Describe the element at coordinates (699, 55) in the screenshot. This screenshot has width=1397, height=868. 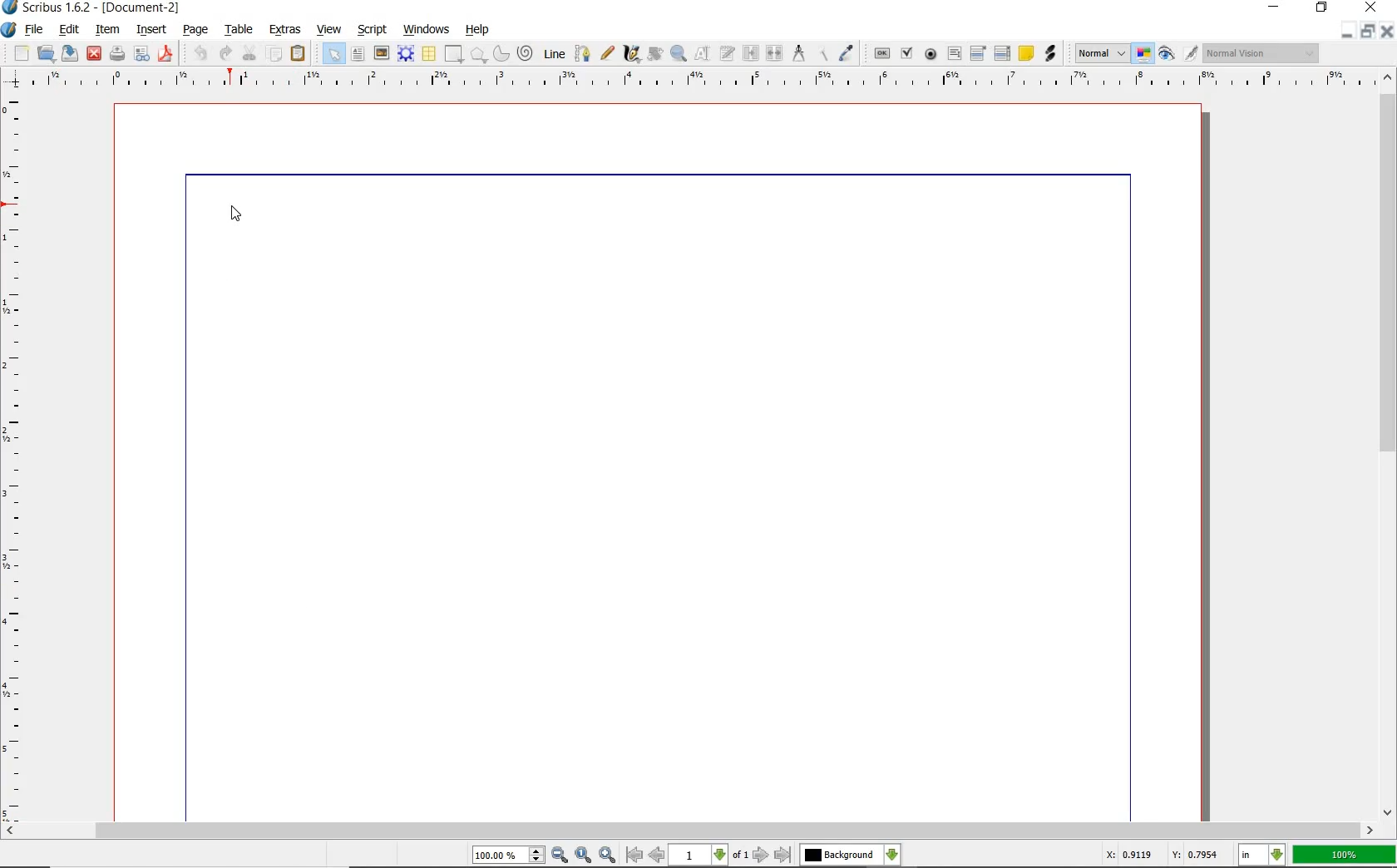
I see `edit contents of frame` at that location.